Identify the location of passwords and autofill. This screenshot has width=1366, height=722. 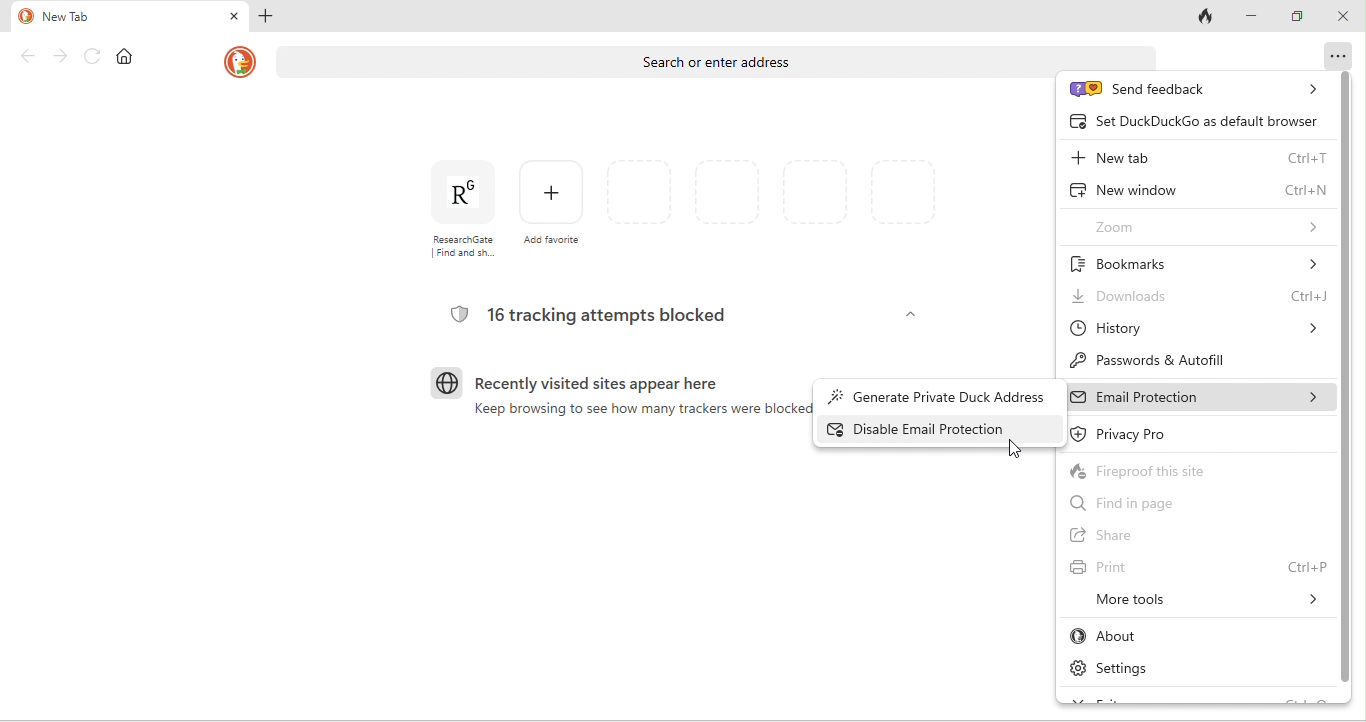
(1182, 358).